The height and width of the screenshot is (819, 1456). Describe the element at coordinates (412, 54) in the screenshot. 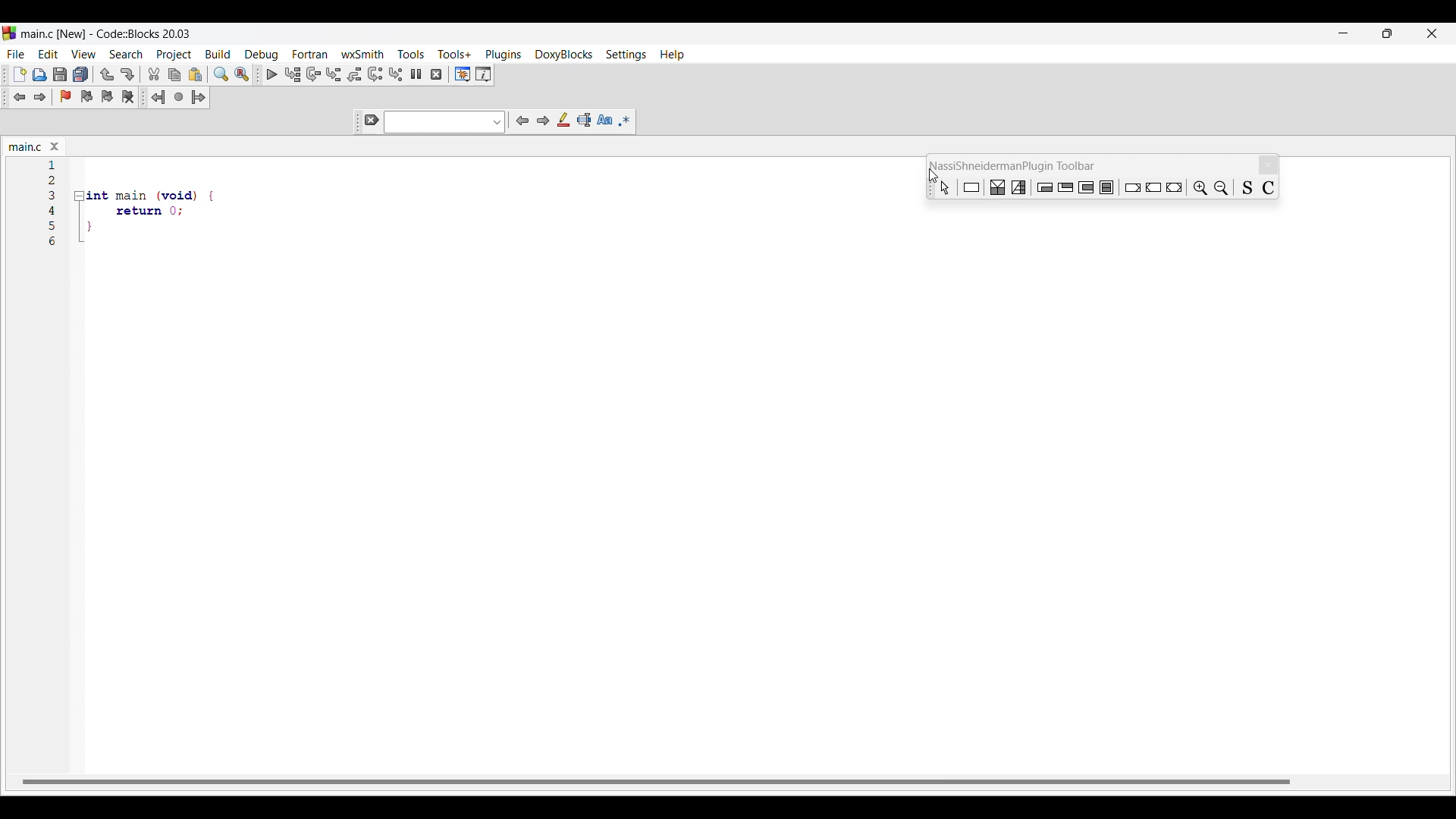

I see `Tools menu` at that location.